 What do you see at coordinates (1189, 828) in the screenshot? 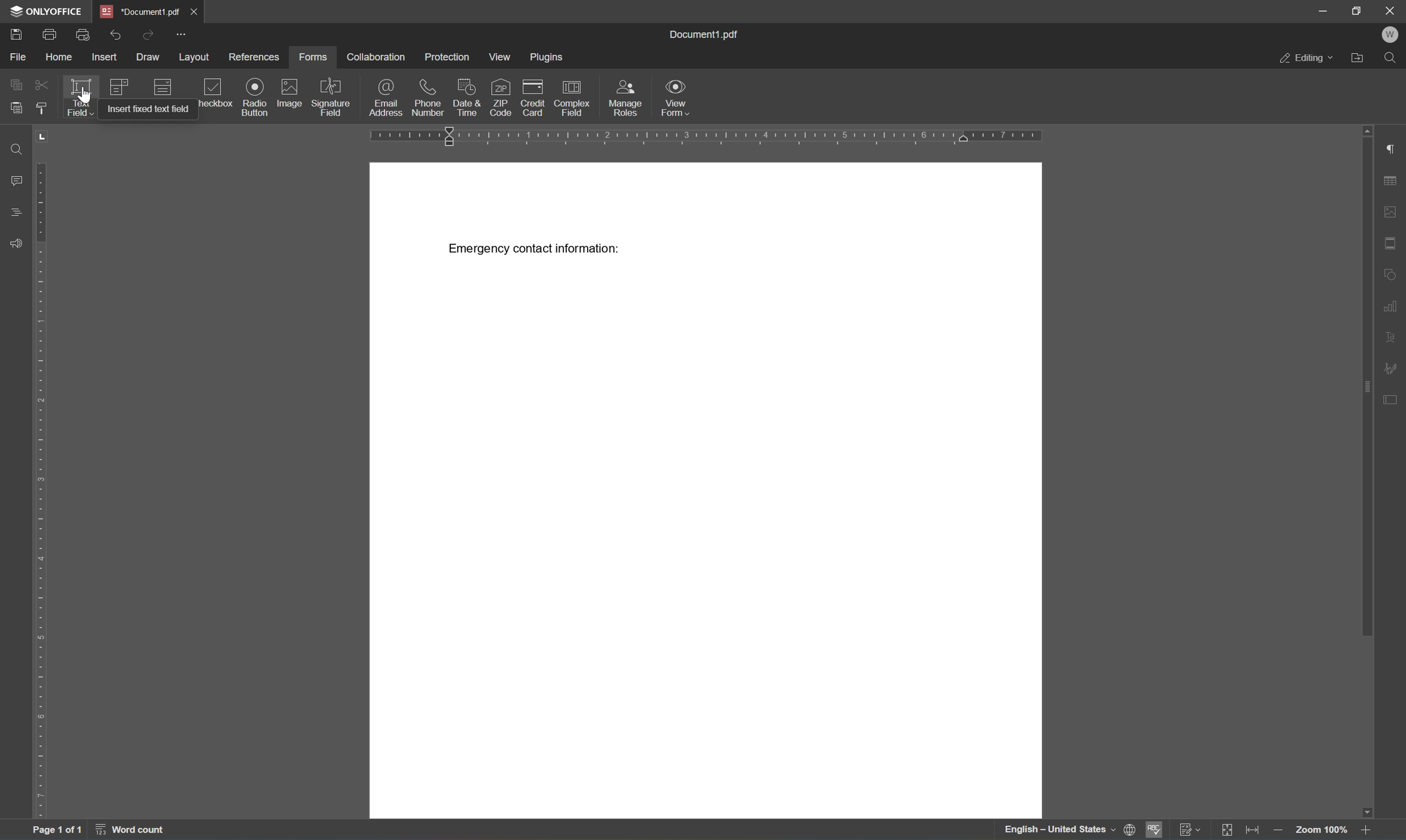
I see `track changes` at bounding box center [1189, 828].